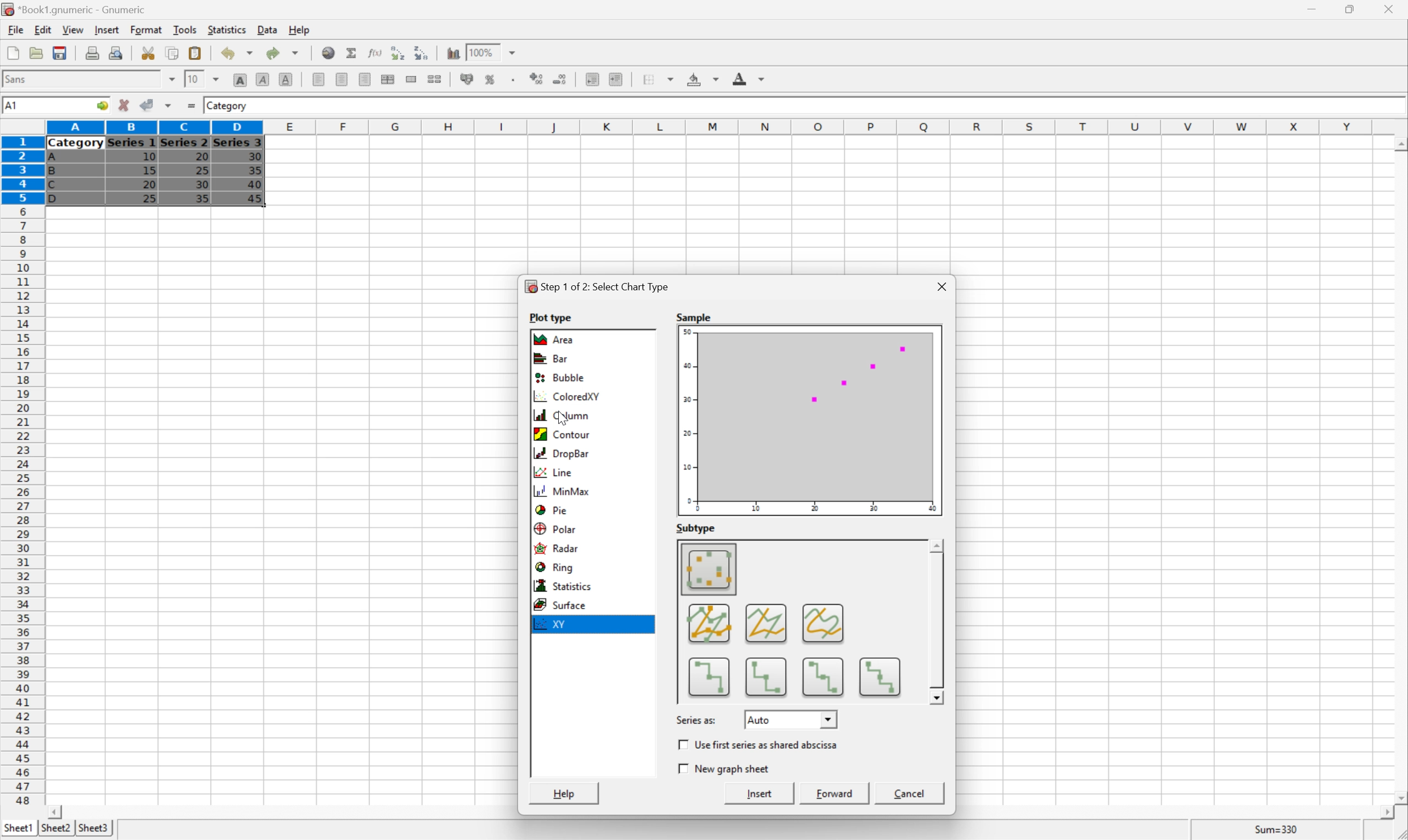  I want to click on Underline, so click(286, 78).